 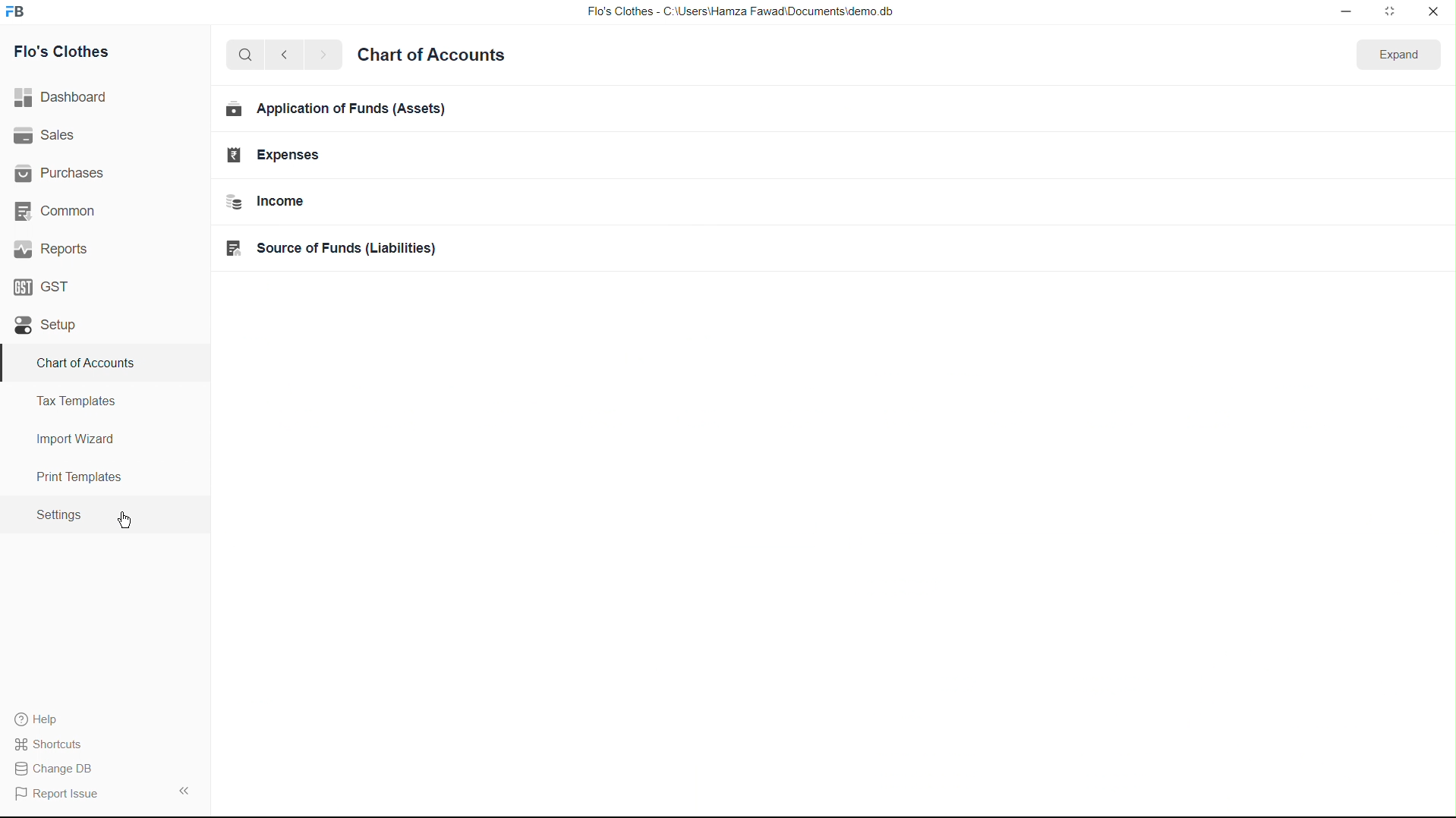 What do you see at coordinates (433, 55) in the screenshot?
I see `Chart of Accounts` at bounding box center [433, 55].